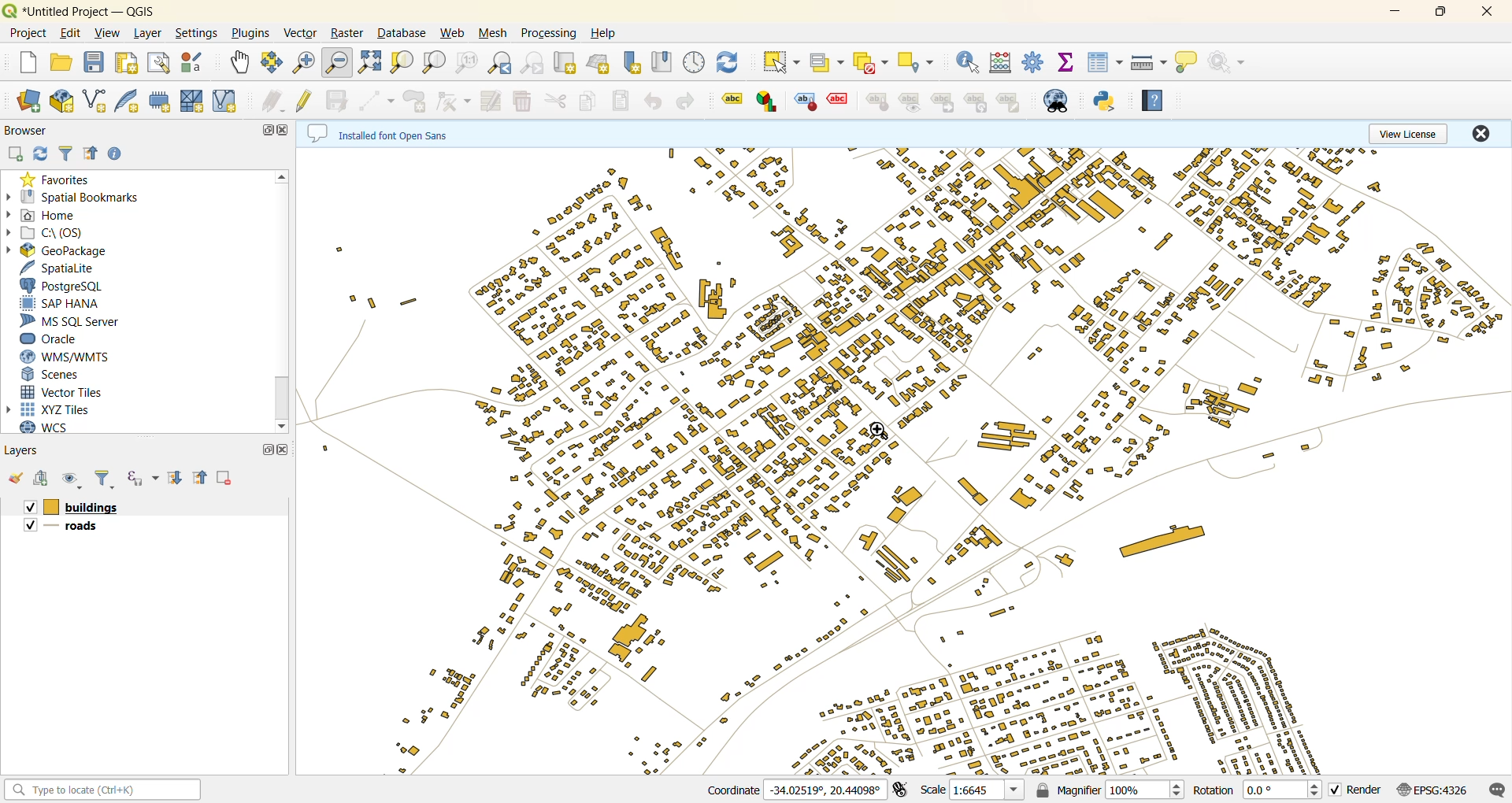  Describe the element at coordinates (341, 63) in the screenshot. I see `zoom out` at that location.